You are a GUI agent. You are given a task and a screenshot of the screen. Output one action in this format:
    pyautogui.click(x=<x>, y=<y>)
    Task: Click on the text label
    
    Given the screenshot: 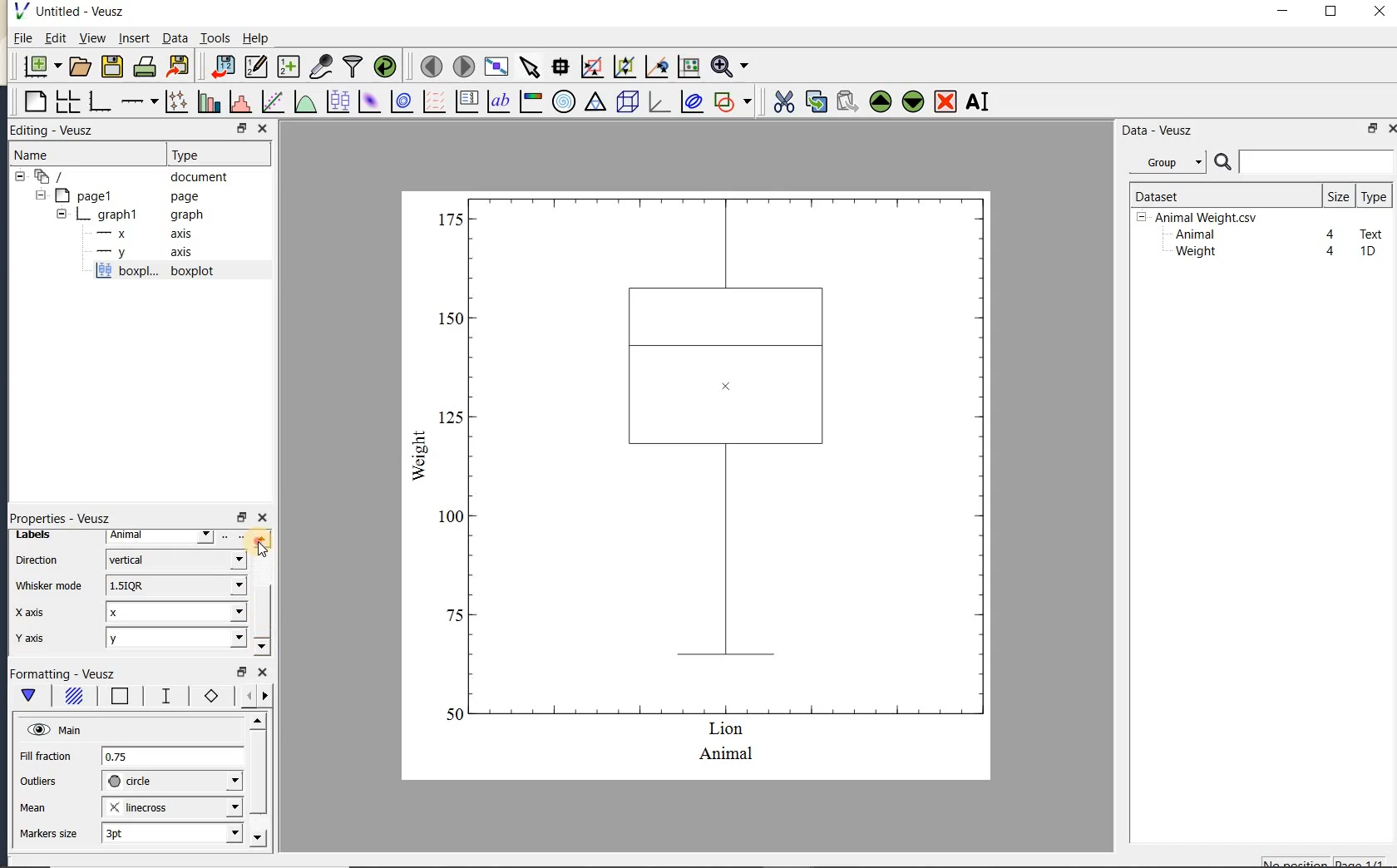 What is the action you would take?
    pyautogui.click(x=498, y=103)
    